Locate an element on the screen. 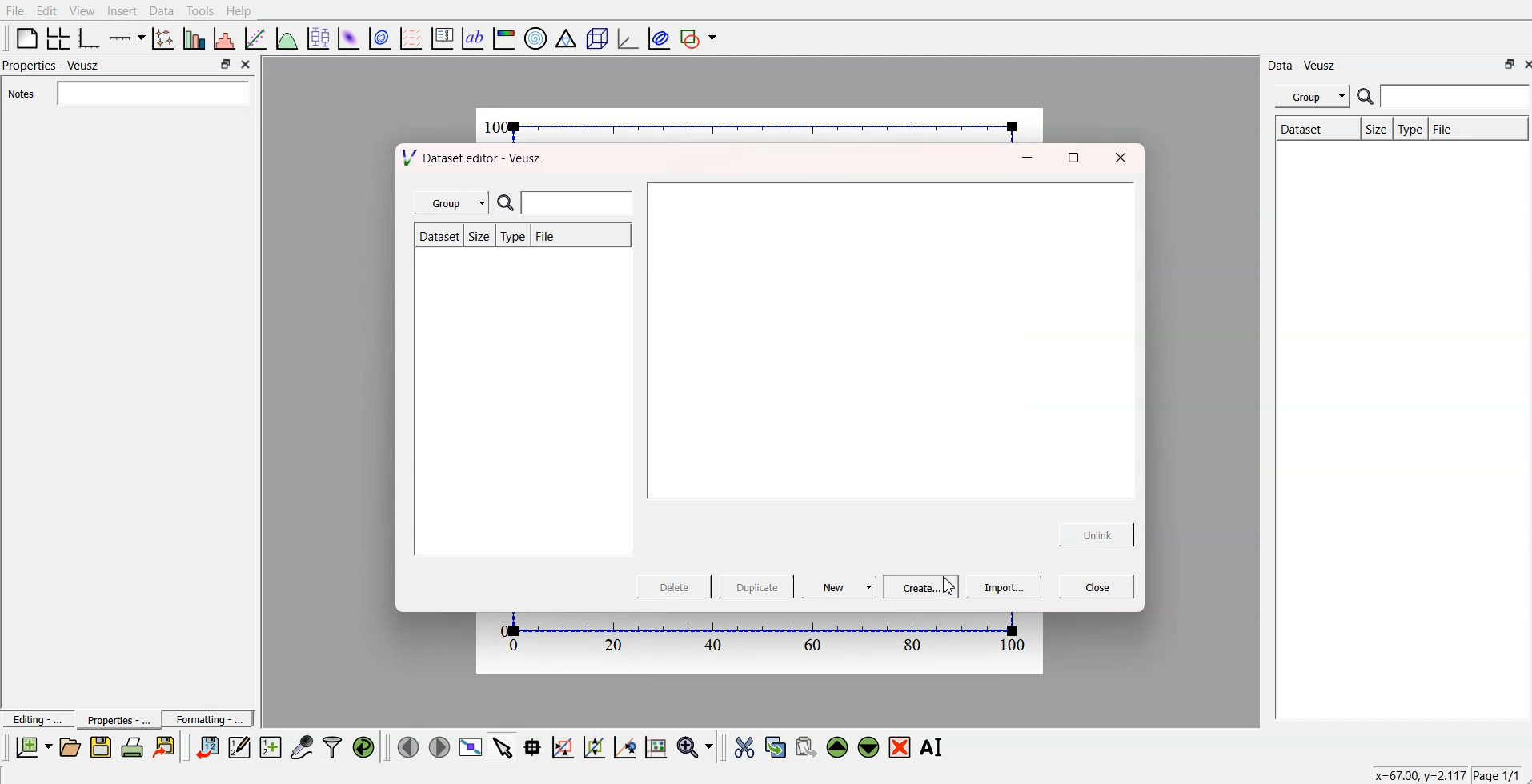  Dataset editor - Veusz is located at coordinates (476, 159).